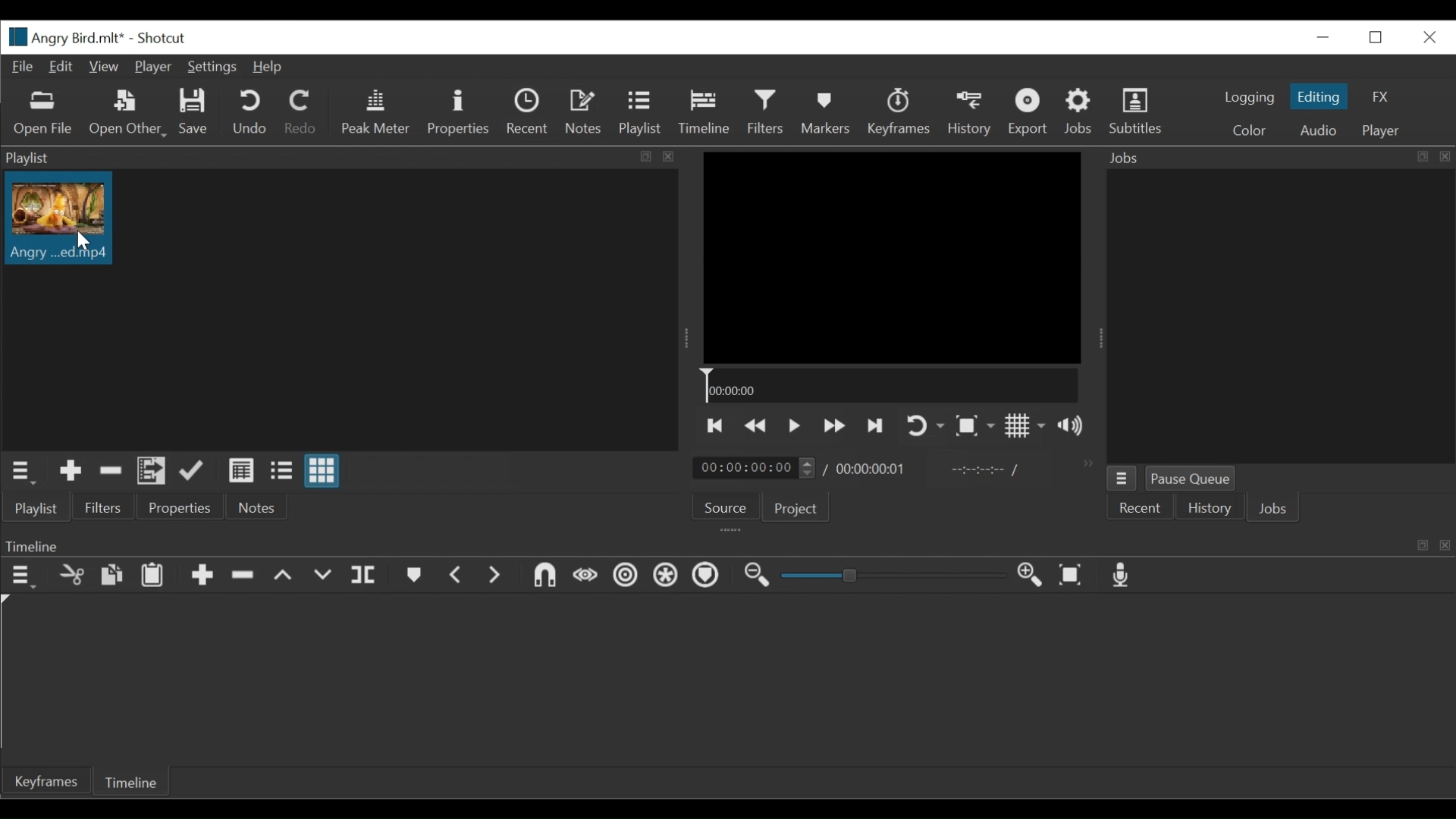 The image size is (1456, 819). What do you see at coordinates (153, 67) in the screenshot?
I see `Player` at bounding box center [153, 67].